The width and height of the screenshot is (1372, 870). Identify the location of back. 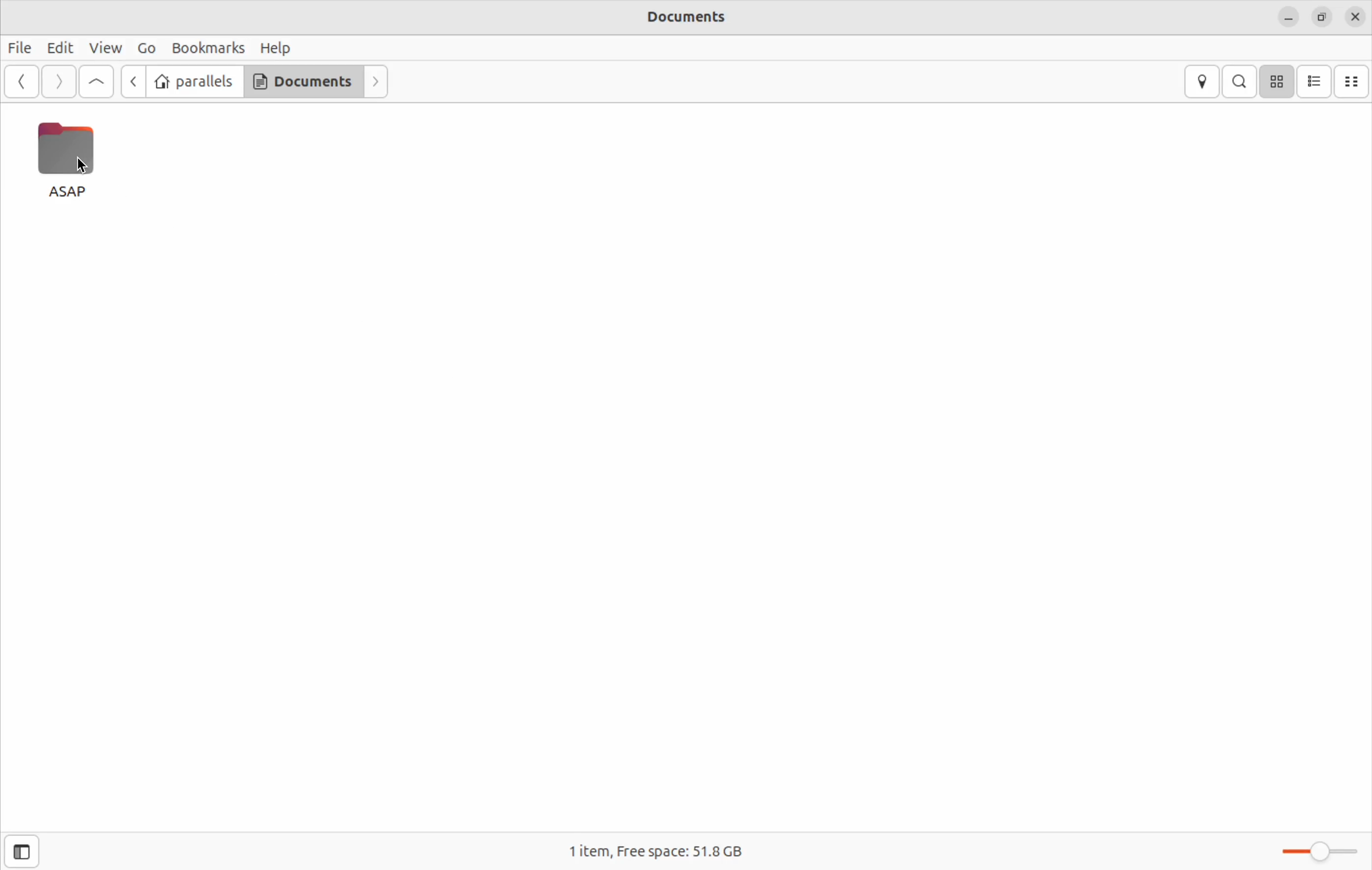
(132, 81).